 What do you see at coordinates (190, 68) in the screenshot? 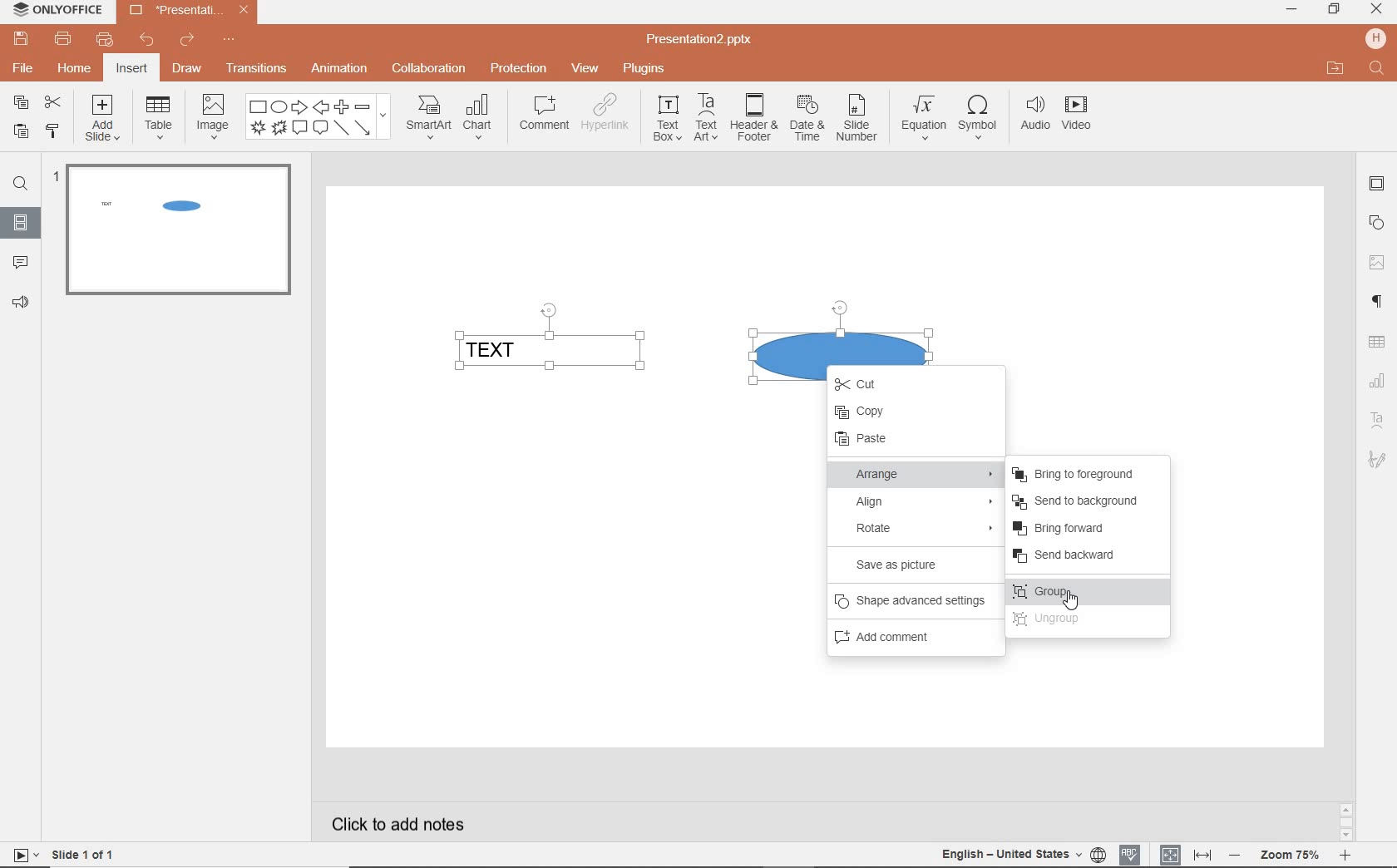
I see `draw` at bounding box center [190, 68].